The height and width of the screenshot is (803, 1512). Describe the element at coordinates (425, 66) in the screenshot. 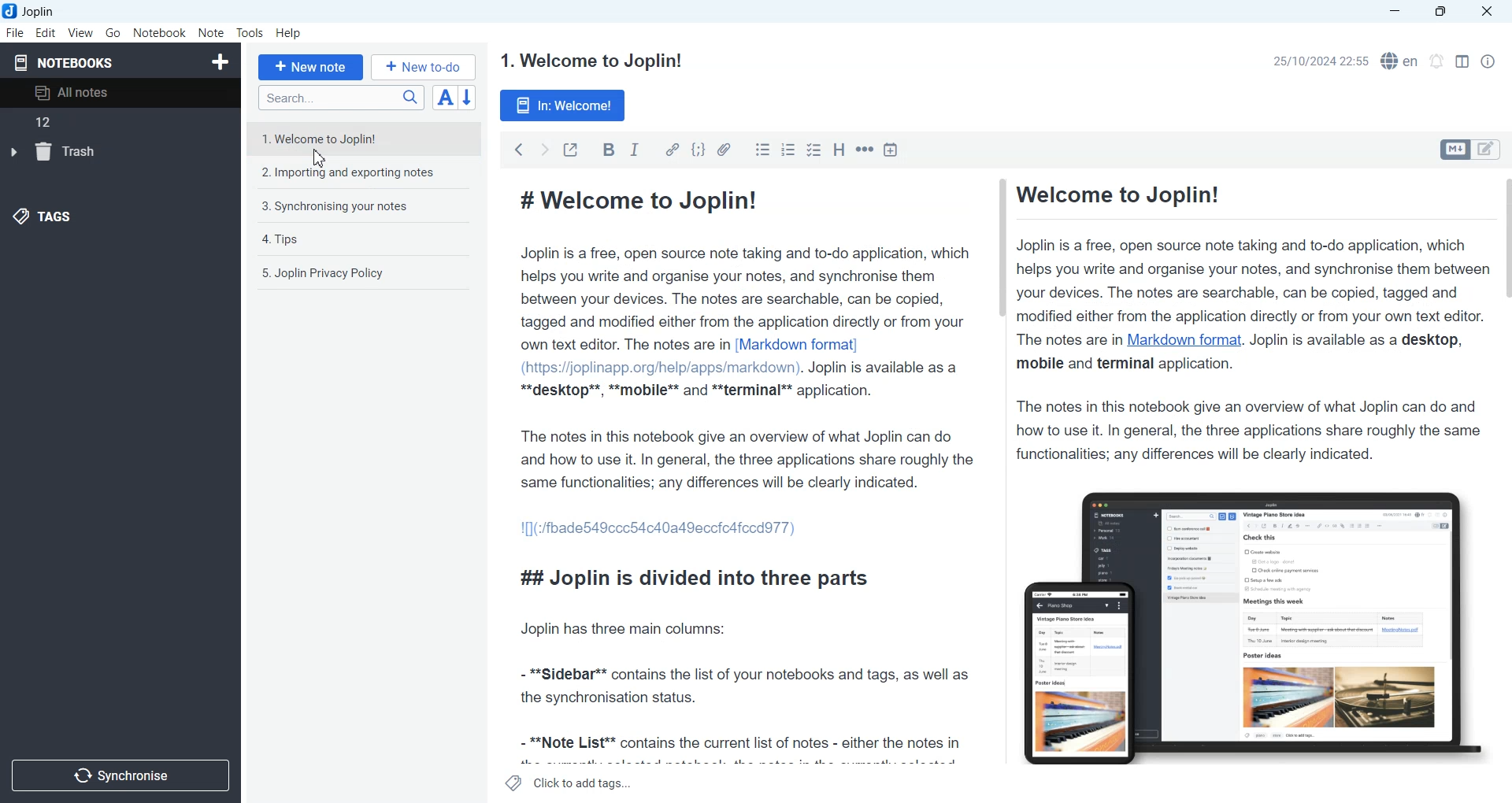

I see `+ New to-do` at that location.